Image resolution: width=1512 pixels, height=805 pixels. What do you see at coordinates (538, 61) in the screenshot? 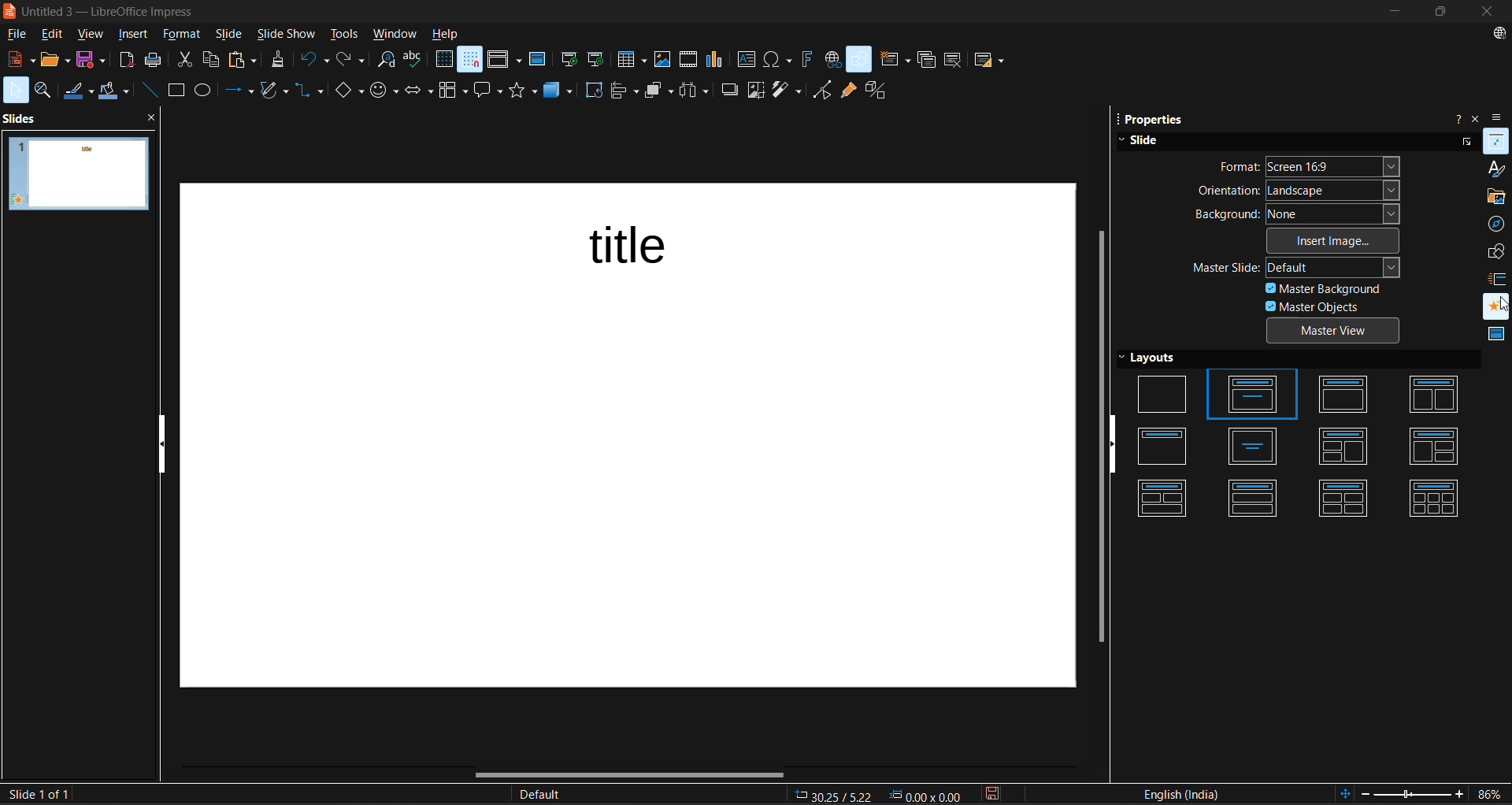
I see `master slide` at bounding box center [538, 61].